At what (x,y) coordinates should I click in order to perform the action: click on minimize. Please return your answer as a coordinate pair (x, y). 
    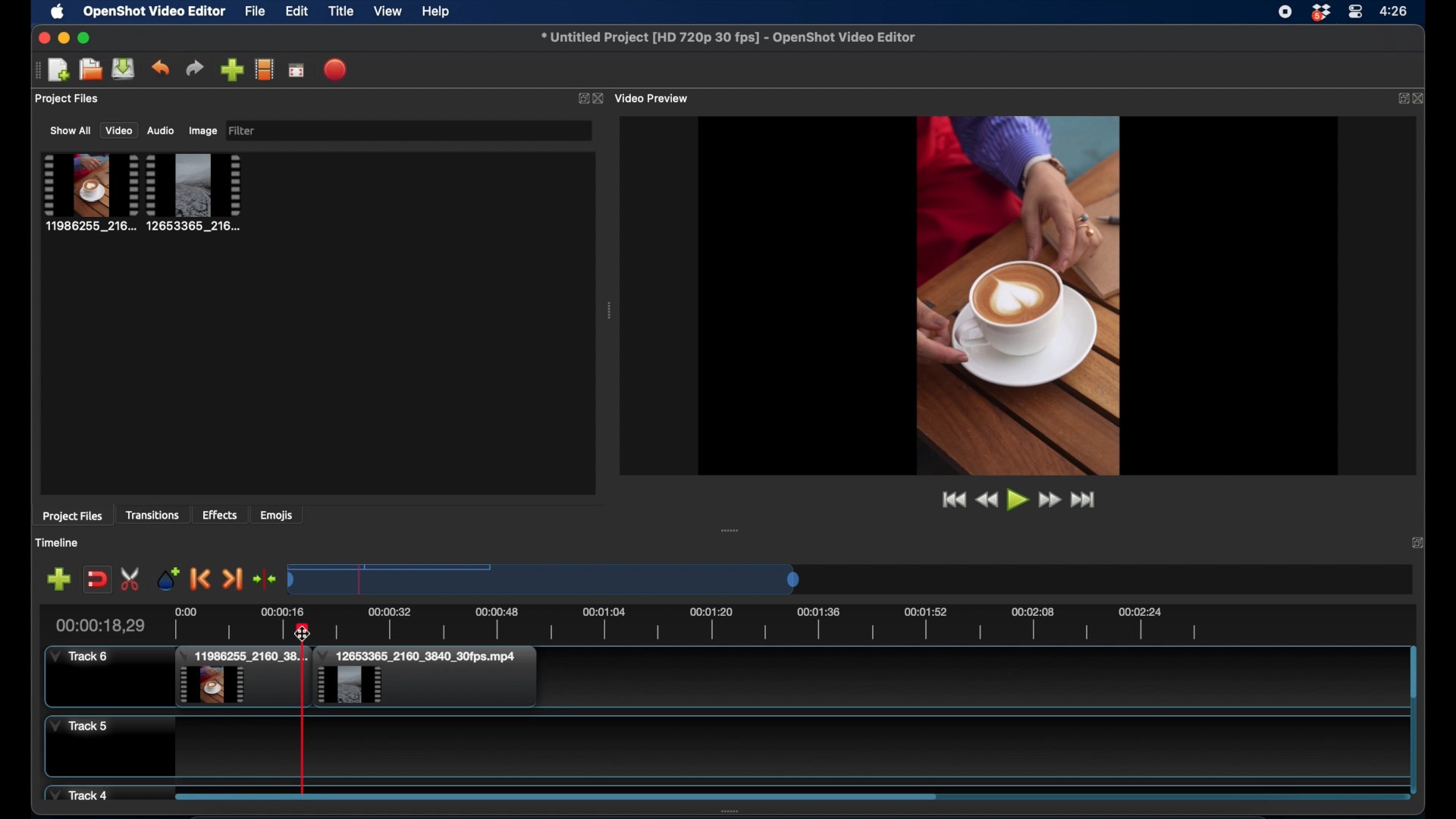
    Looking at the image, I should click on (63, 38).